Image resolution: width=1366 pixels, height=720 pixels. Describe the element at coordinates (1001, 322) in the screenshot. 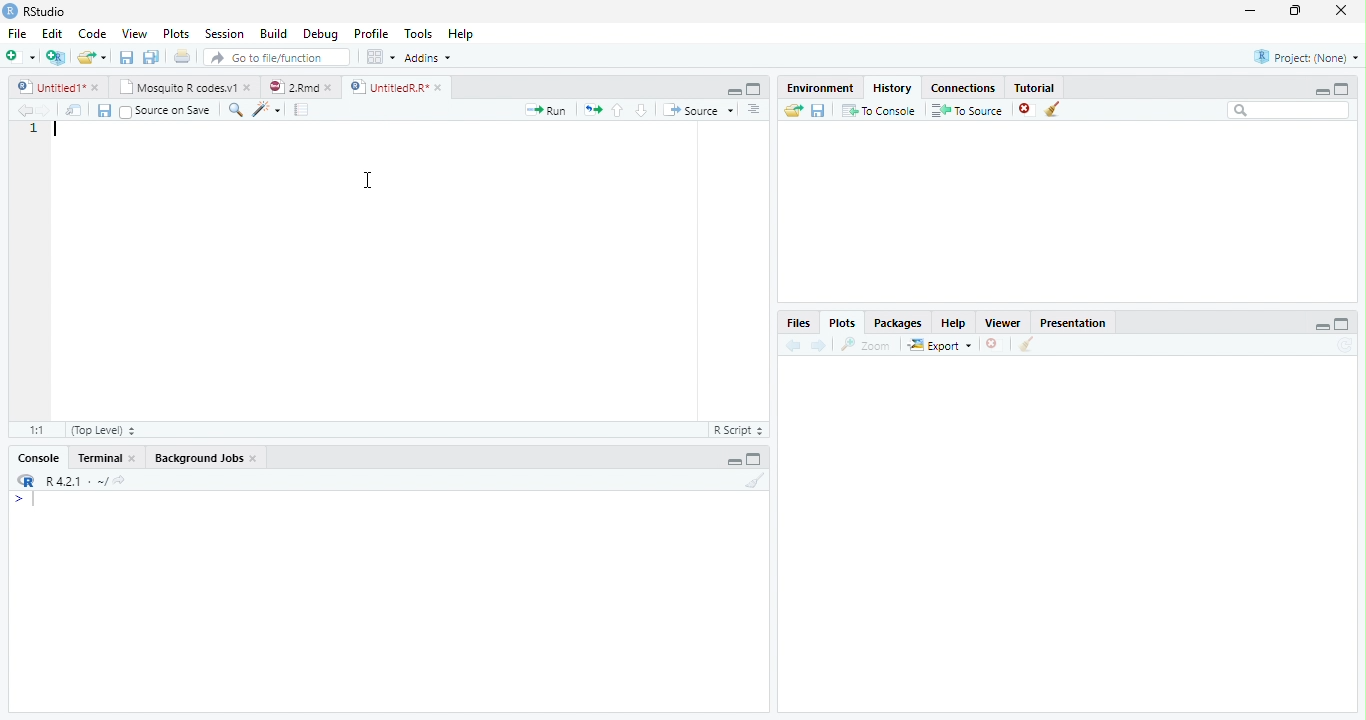

I see `Viewer` at that location.